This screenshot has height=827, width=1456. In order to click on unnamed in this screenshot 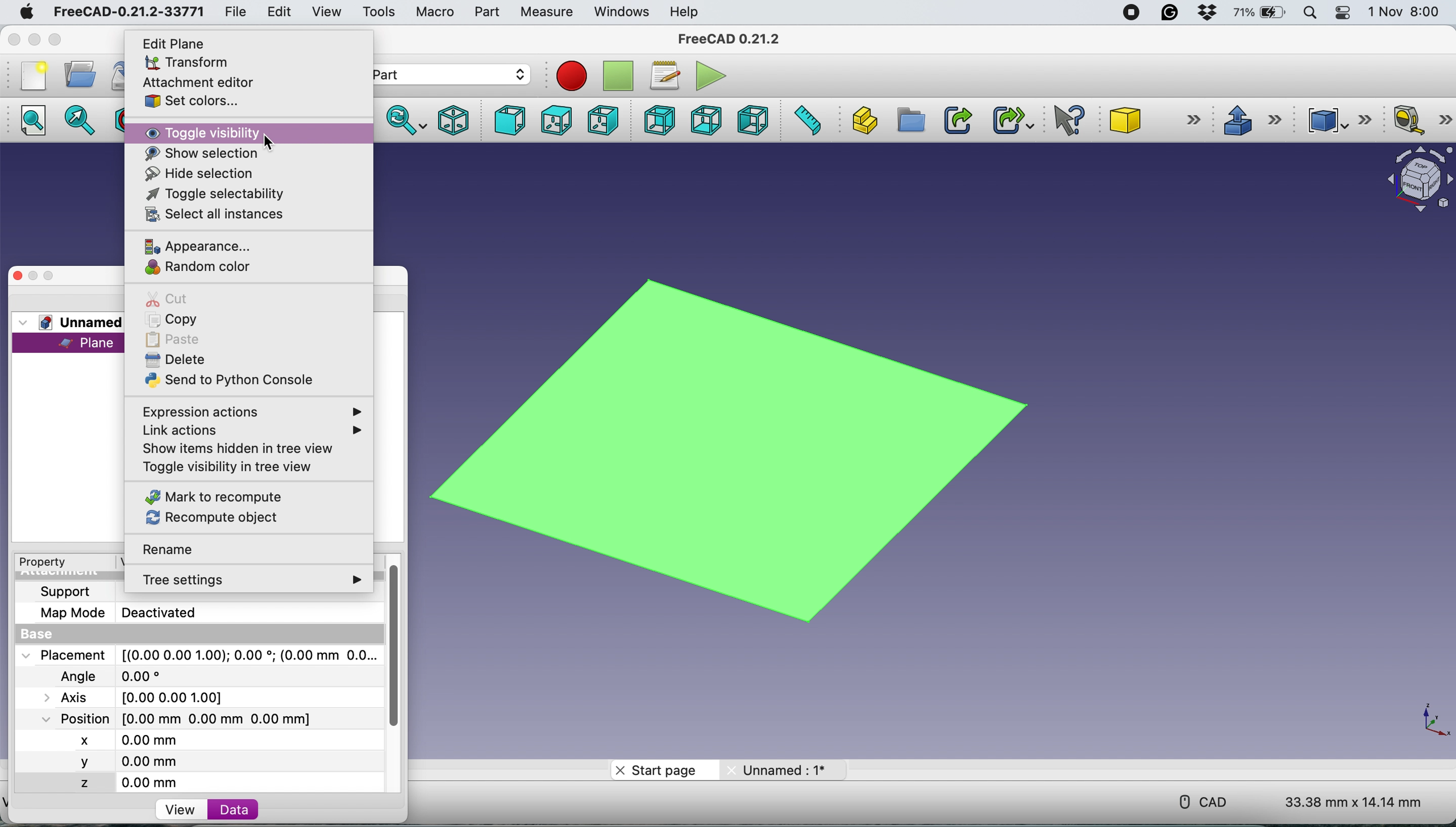, I will do `click(781, 770)`.